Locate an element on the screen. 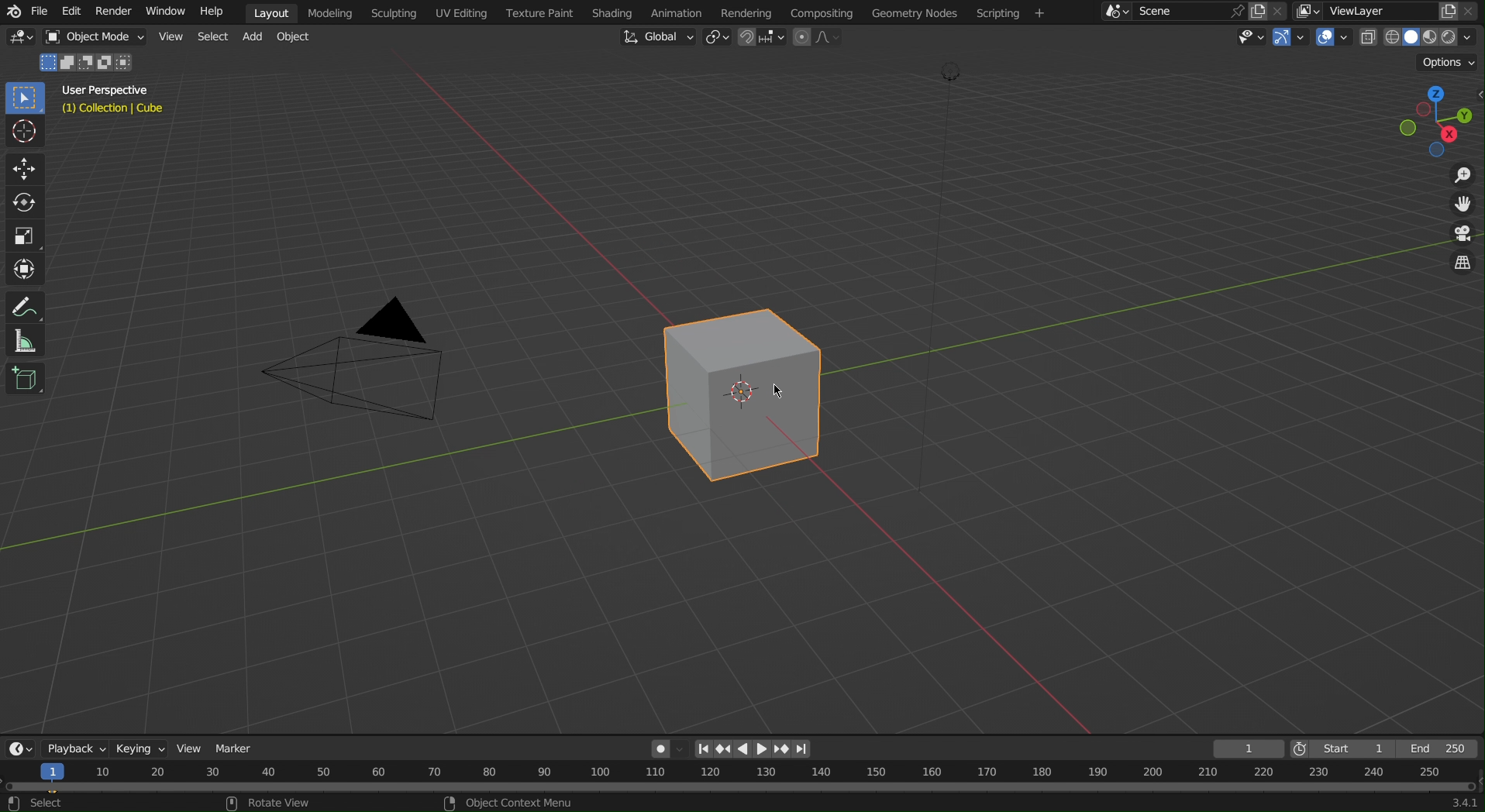  Proportional Editing is located at coordinates (820, 38).